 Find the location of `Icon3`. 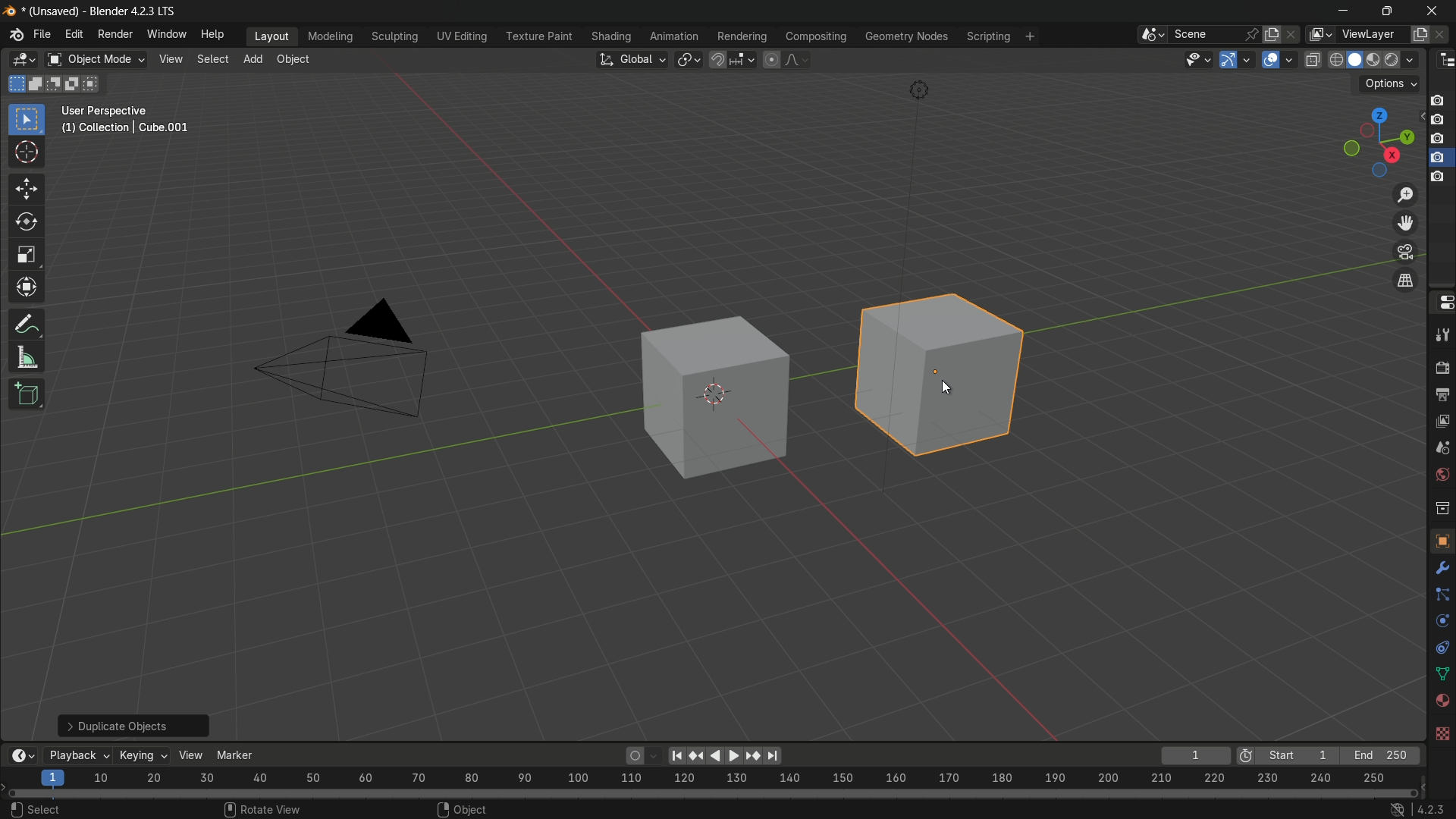

Icon3 is located at coordinates (1441, 140).